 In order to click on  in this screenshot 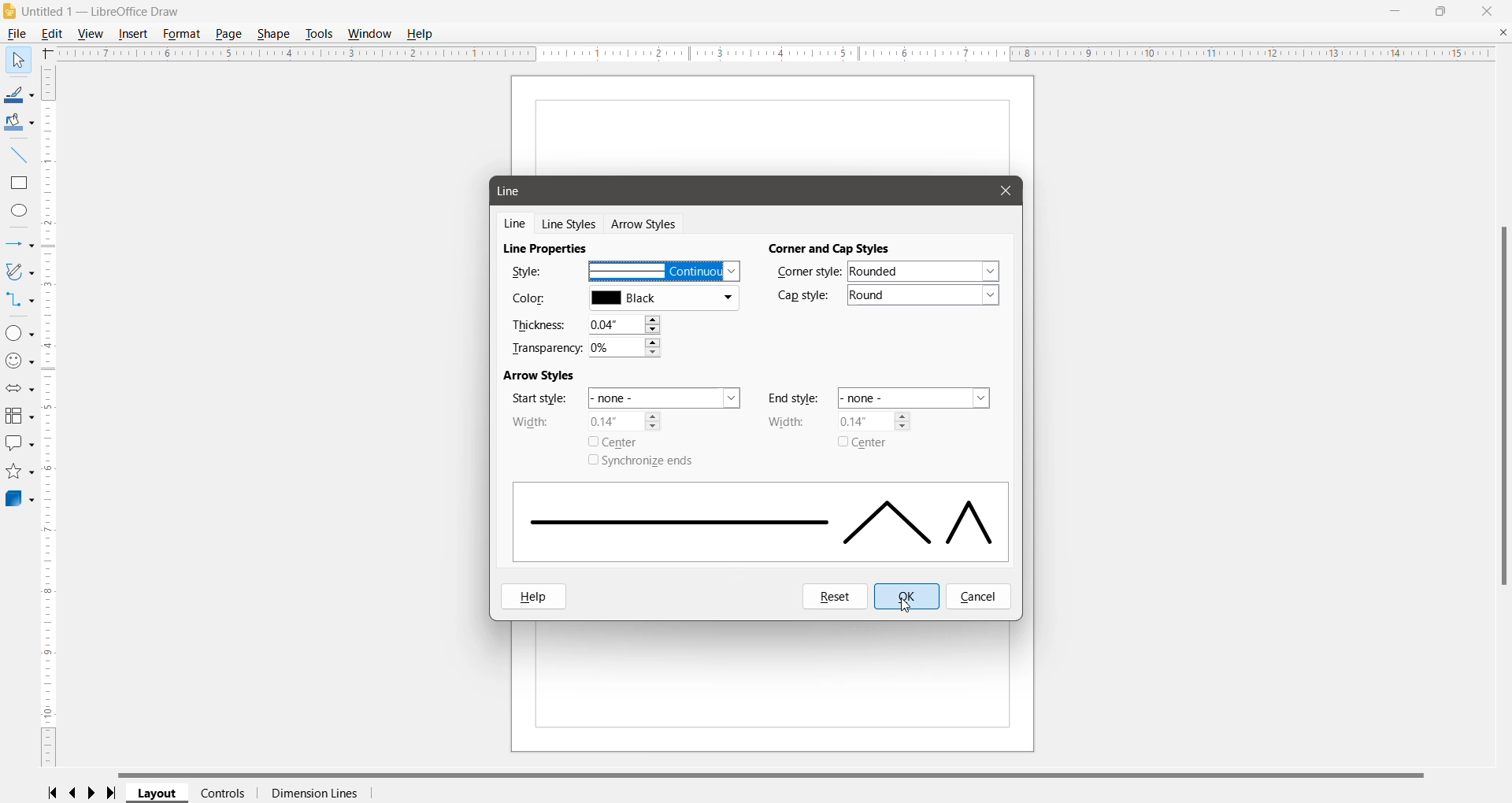, I will do `click(876, 422)`.